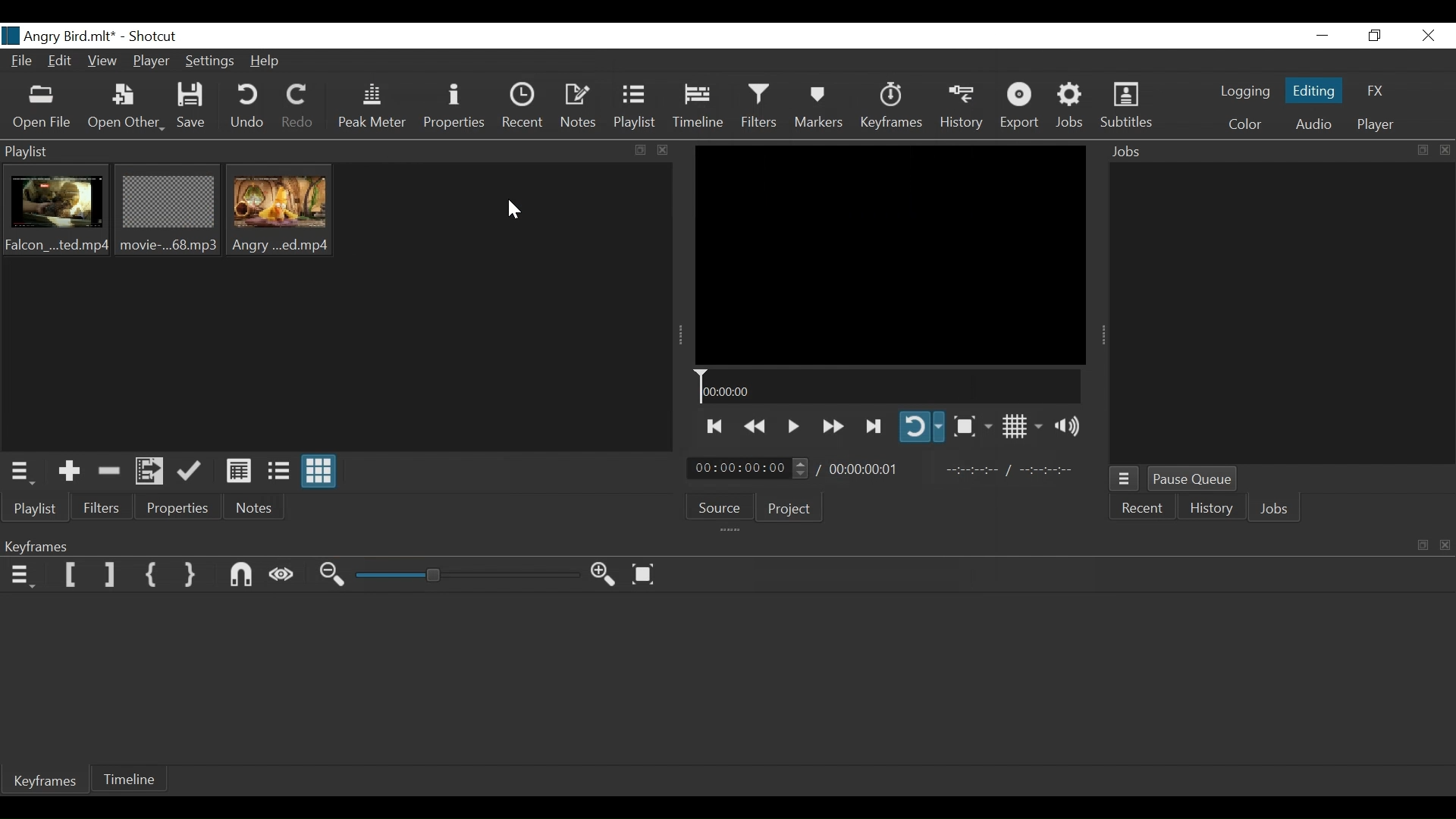  What do you see at coordinates (18, 62) in the screenshot?
I see `File` at bounding box center [18, 62].